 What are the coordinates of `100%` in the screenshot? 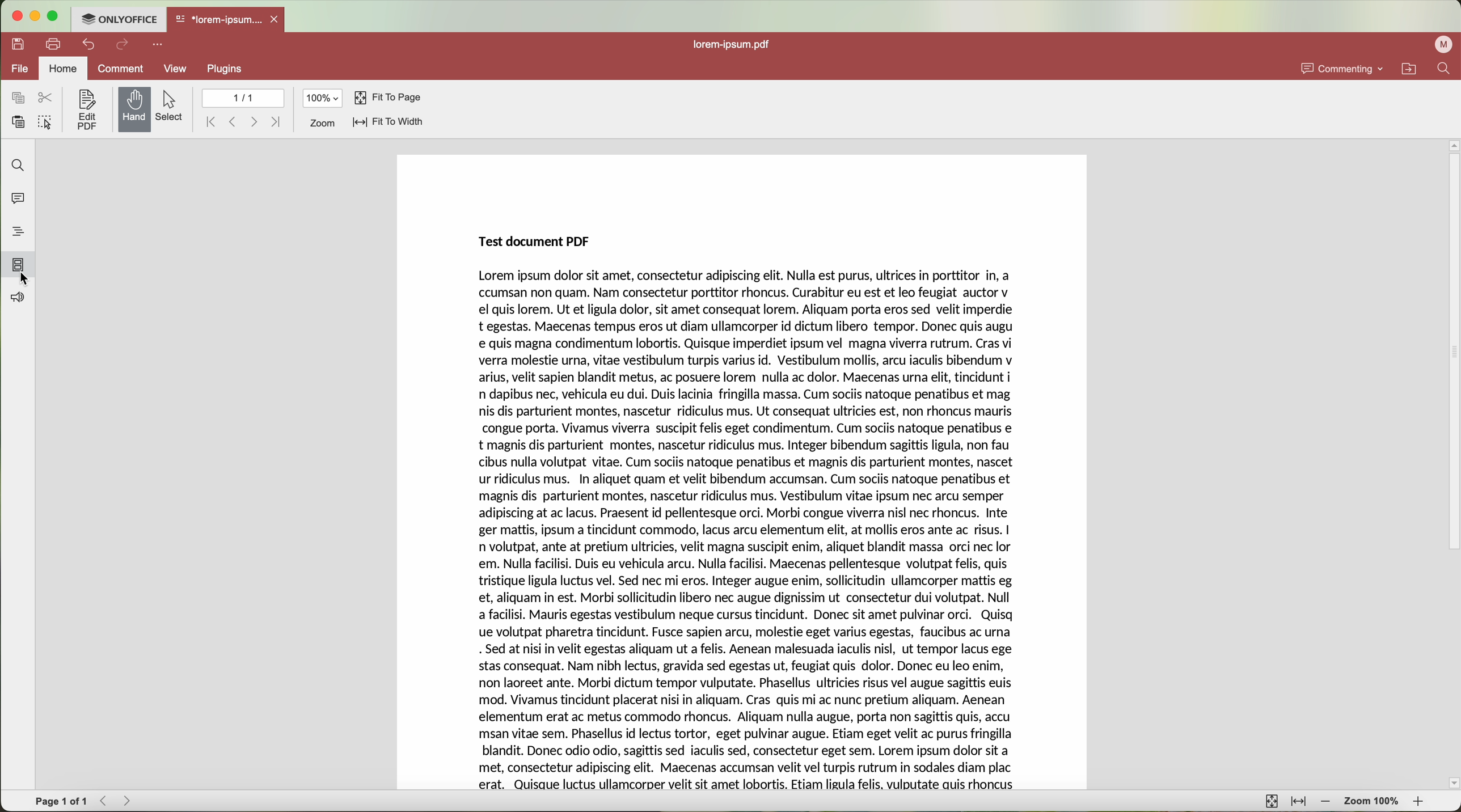 It's located at (324, 98).